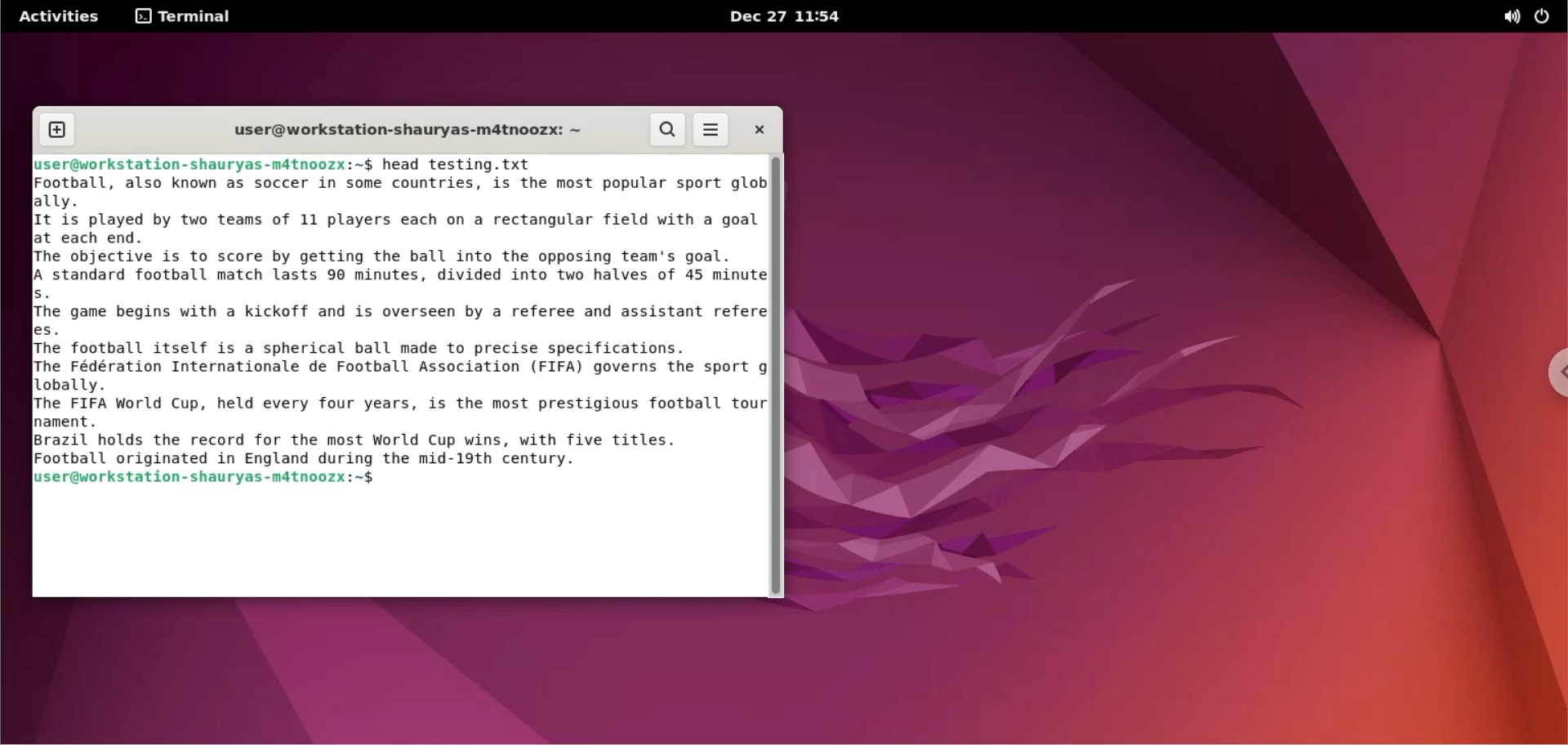 This screenshot has width=1568, height=745. I want to click on terminal title: user@workstation-shauryas-m4tnoozx:~$ , so click(400, 129).